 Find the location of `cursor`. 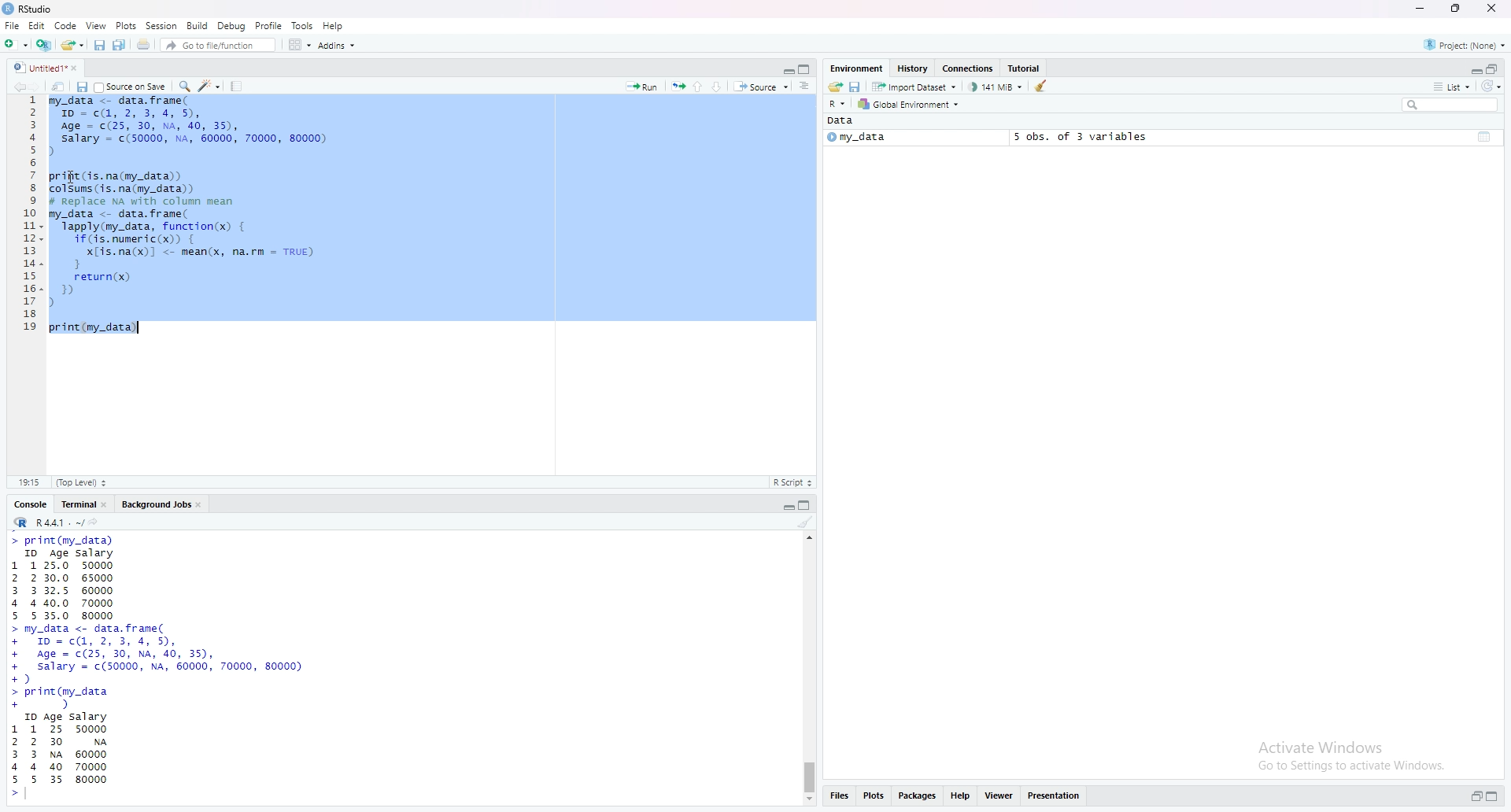

cursor is located at coordinates (72, 178).